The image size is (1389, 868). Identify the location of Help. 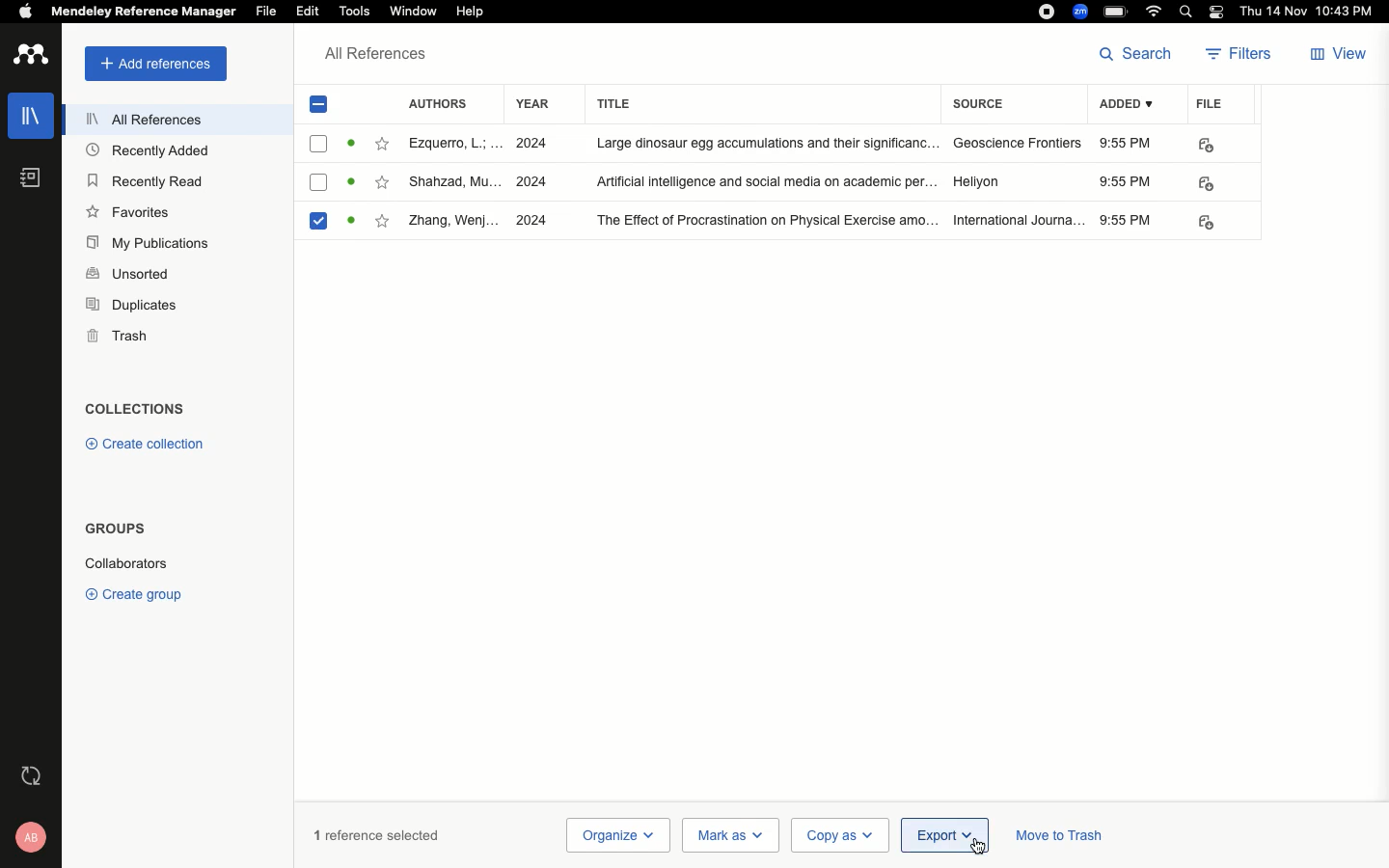
(479, 11).